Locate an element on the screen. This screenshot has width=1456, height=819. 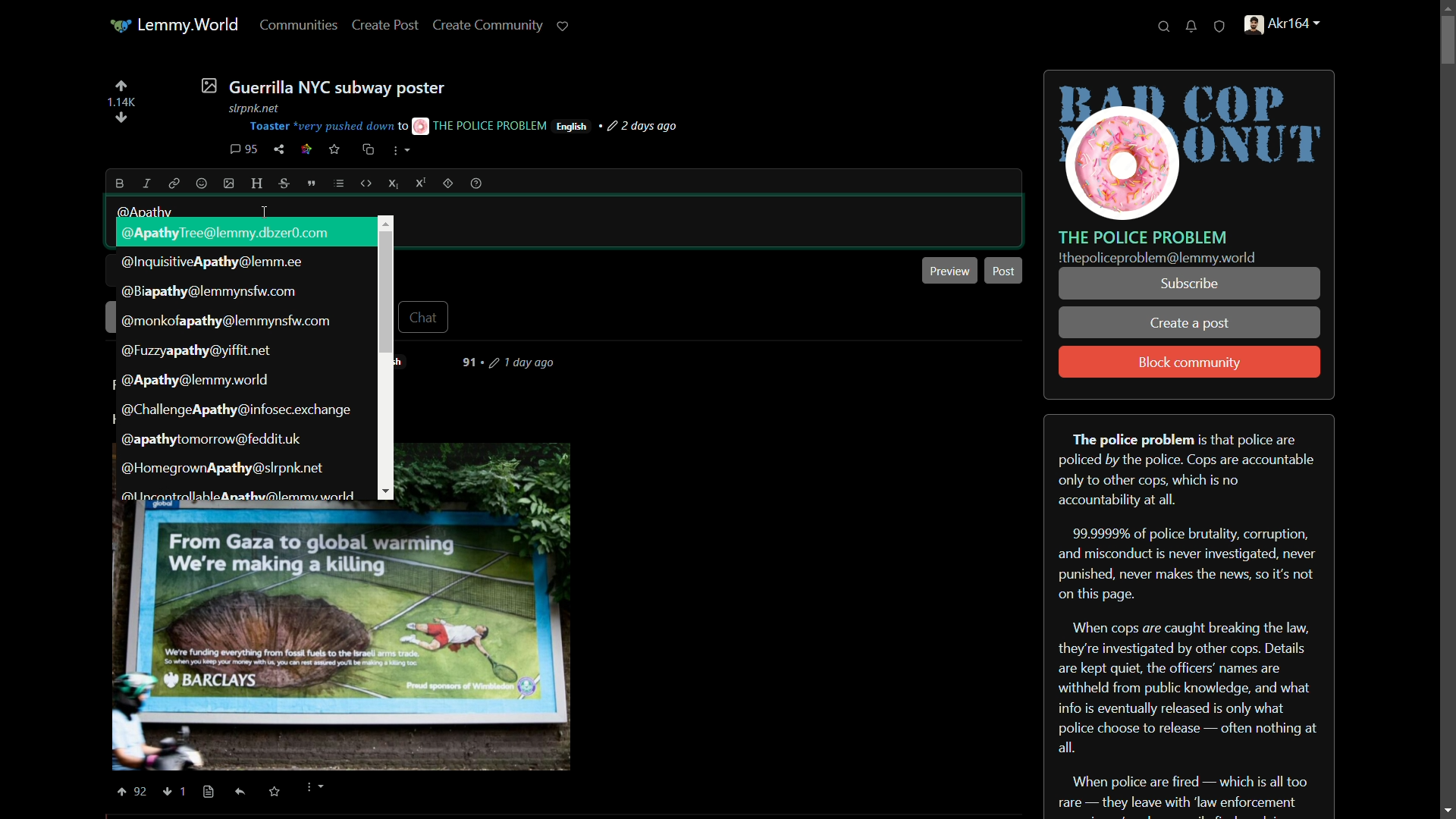
code is located at coordinates (367, 184).